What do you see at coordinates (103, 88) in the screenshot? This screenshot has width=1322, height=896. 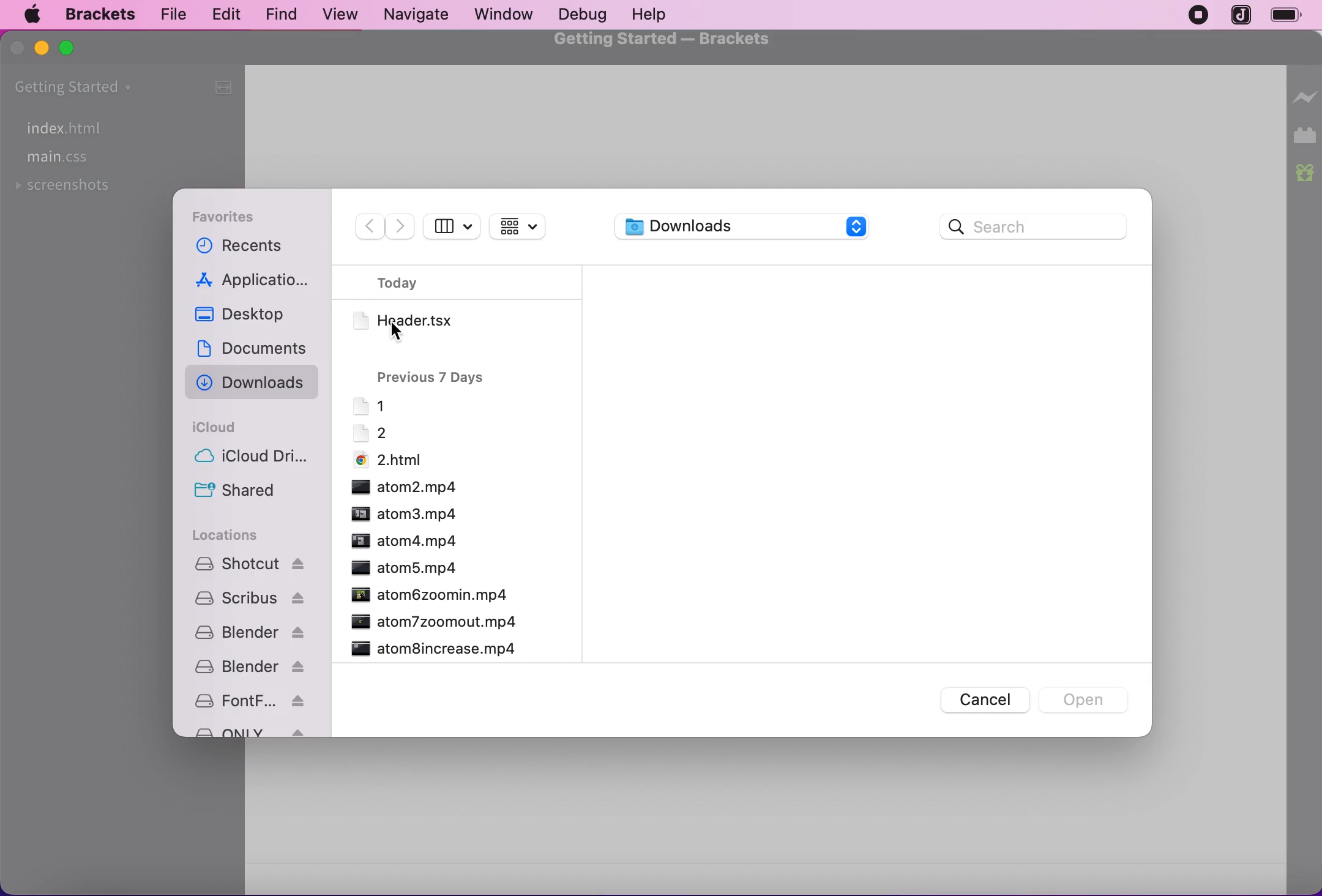 I see `getting started` at bounding box center [103, 88].